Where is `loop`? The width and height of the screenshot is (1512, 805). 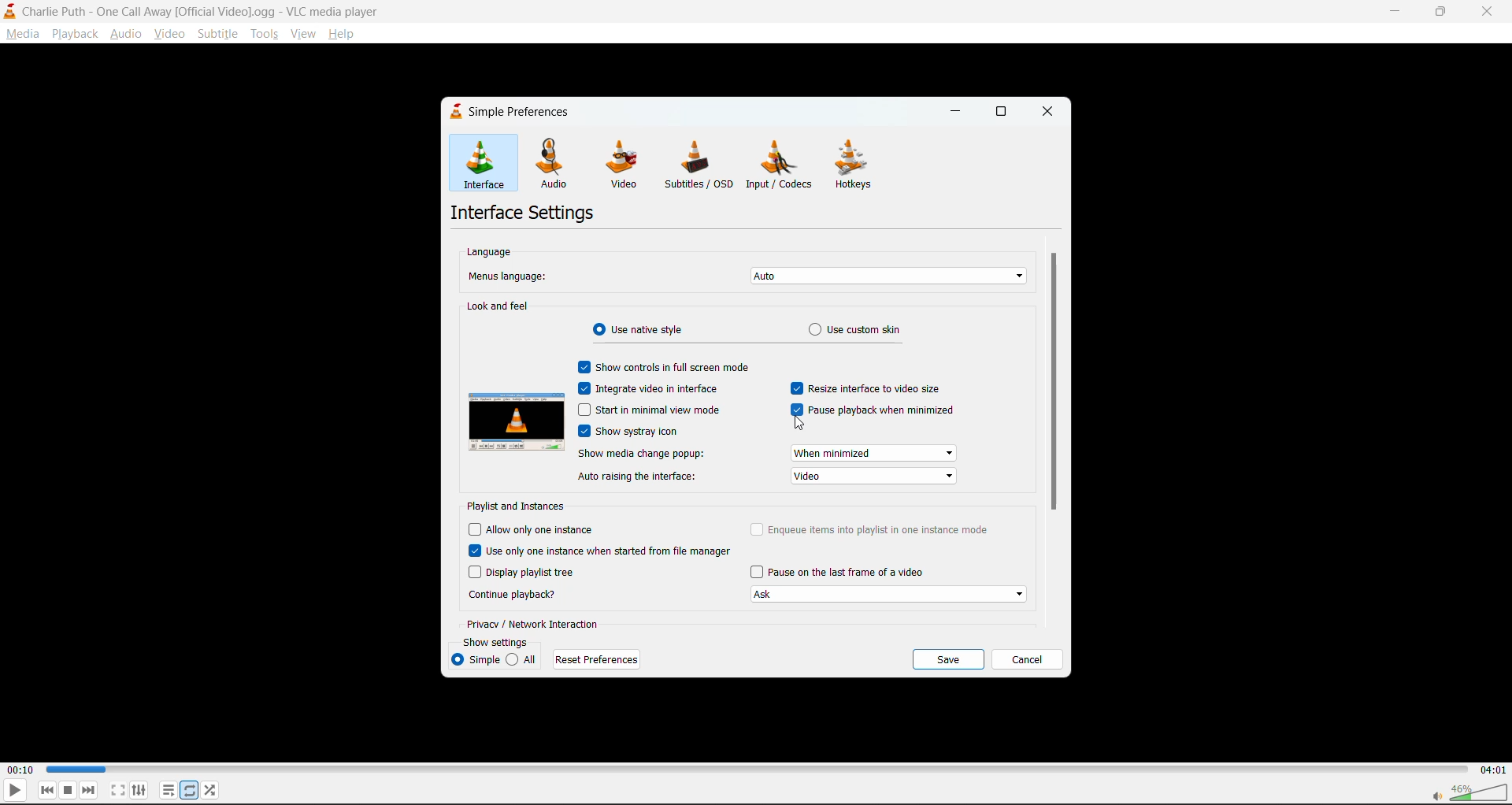 loop is located at coordinates (190, 791).